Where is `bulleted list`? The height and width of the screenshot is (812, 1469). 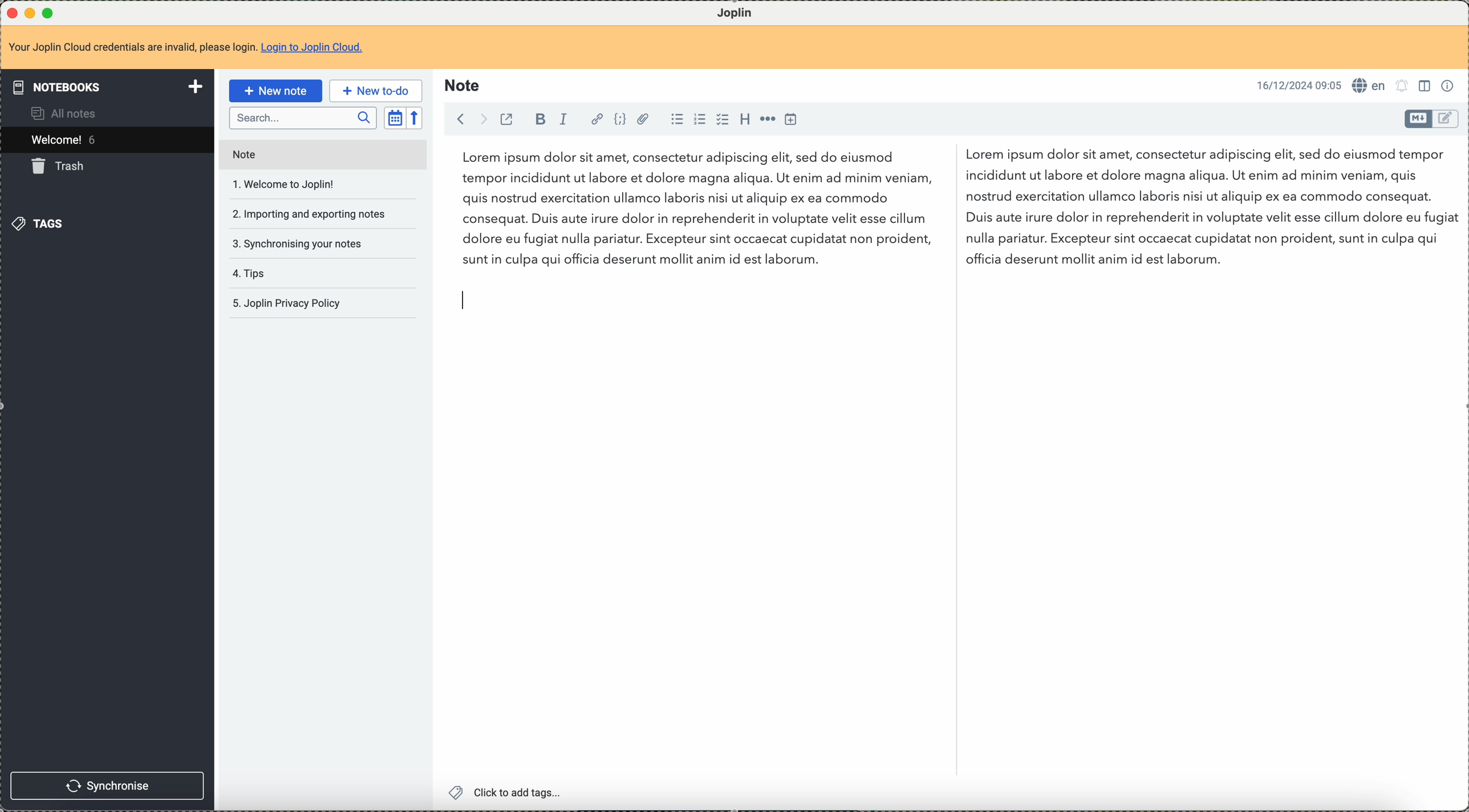
bulleted list is located at coordinates (676, 121).